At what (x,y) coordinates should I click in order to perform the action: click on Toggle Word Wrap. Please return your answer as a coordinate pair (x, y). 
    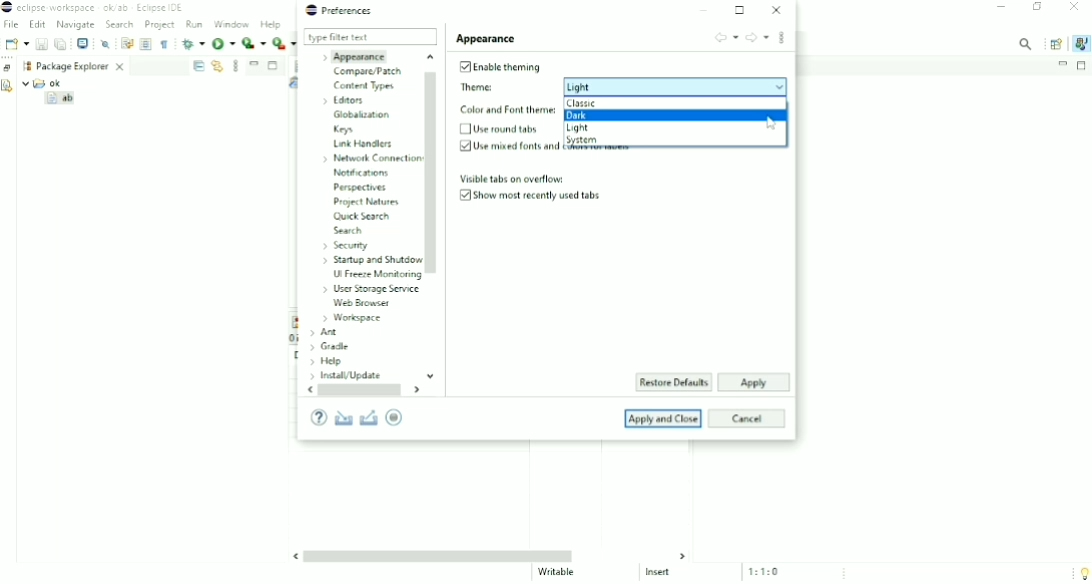
    Looking at the image, I should click on (126, 42).